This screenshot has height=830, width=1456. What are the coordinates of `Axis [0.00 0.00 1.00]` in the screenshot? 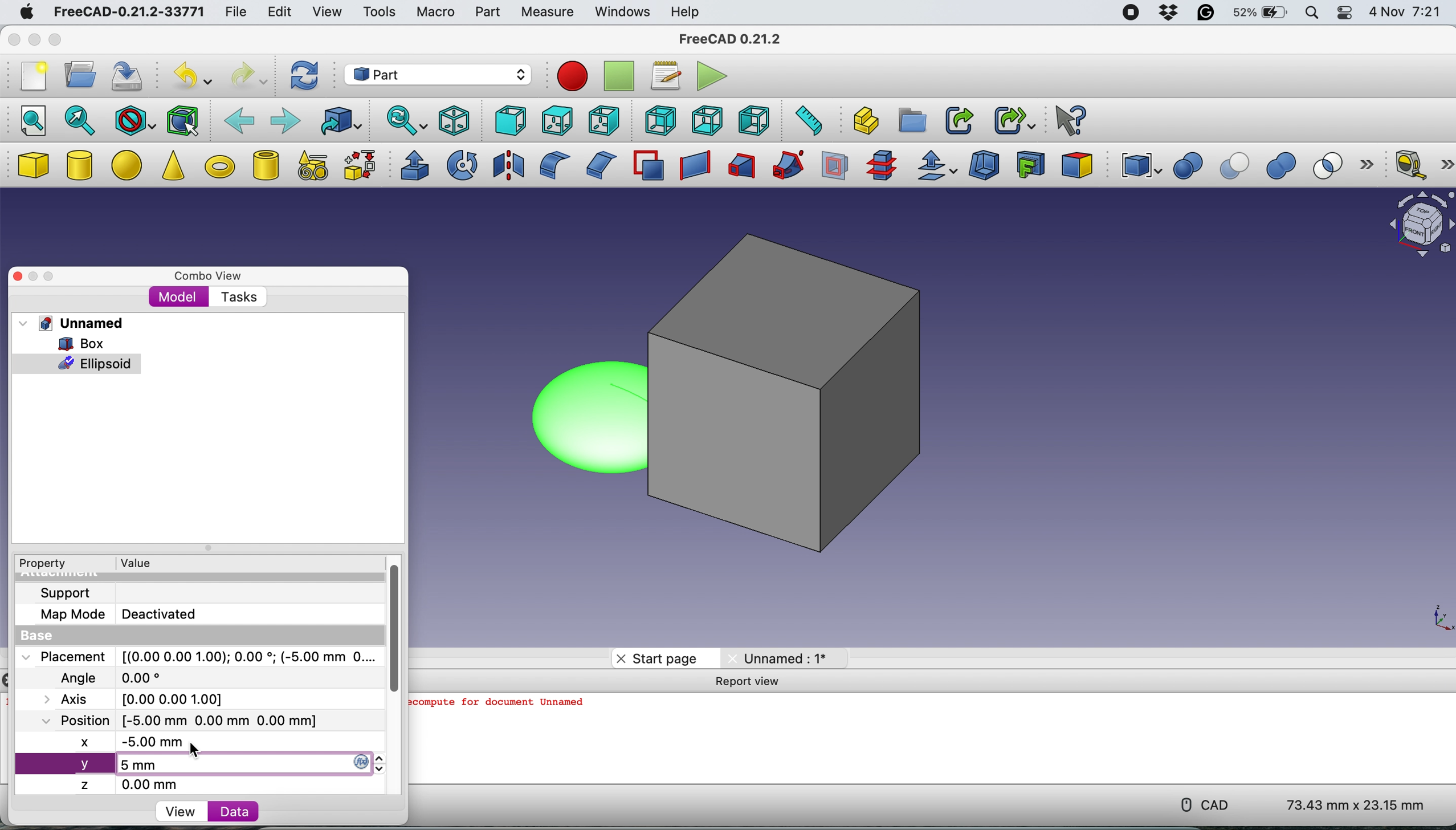 It's located at (140, 698).